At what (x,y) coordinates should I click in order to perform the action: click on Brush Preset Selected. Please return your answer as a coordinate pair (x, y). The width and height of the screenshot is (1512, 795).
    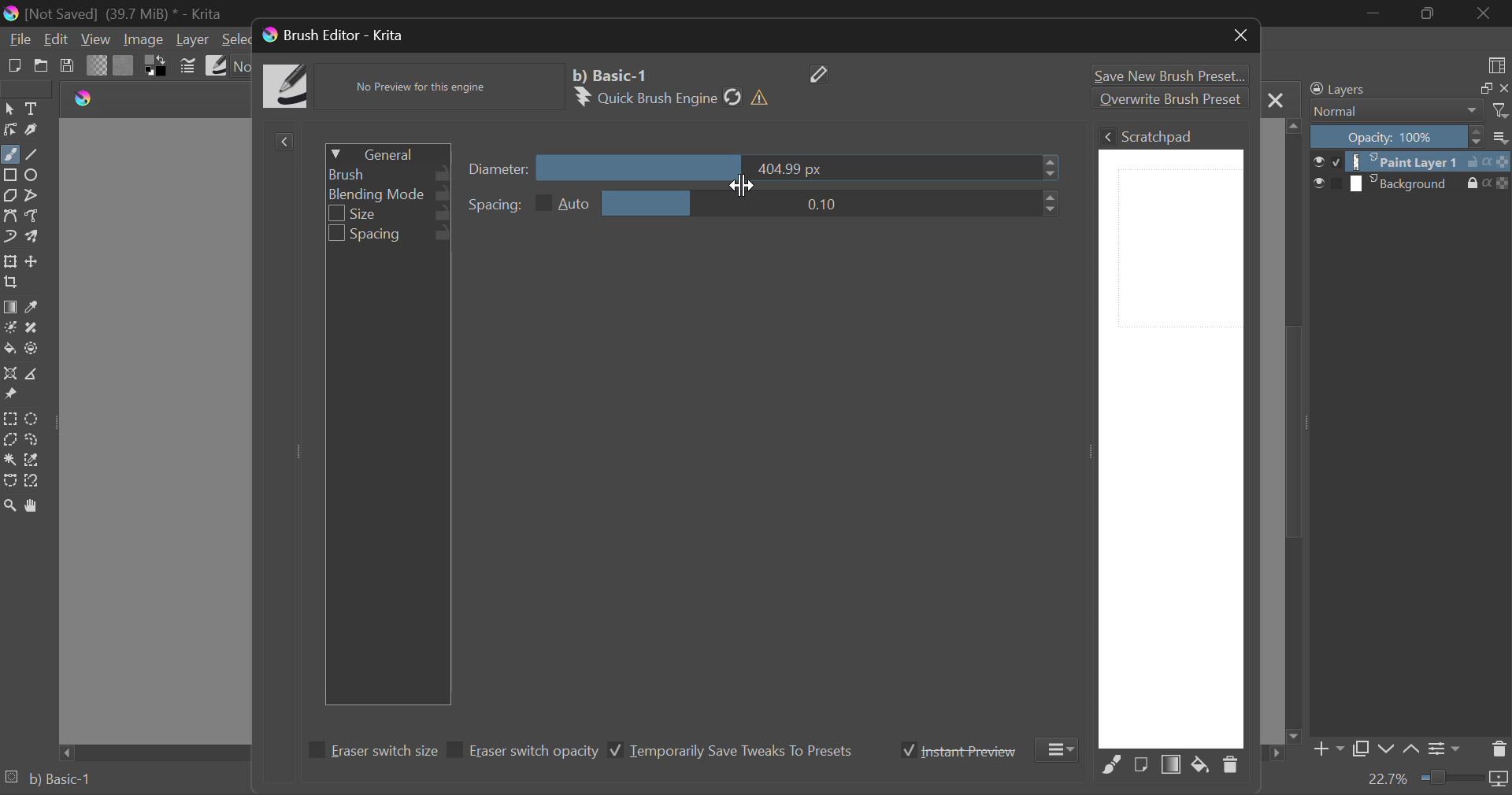
    Looking at the image, I should click on (47, 782).